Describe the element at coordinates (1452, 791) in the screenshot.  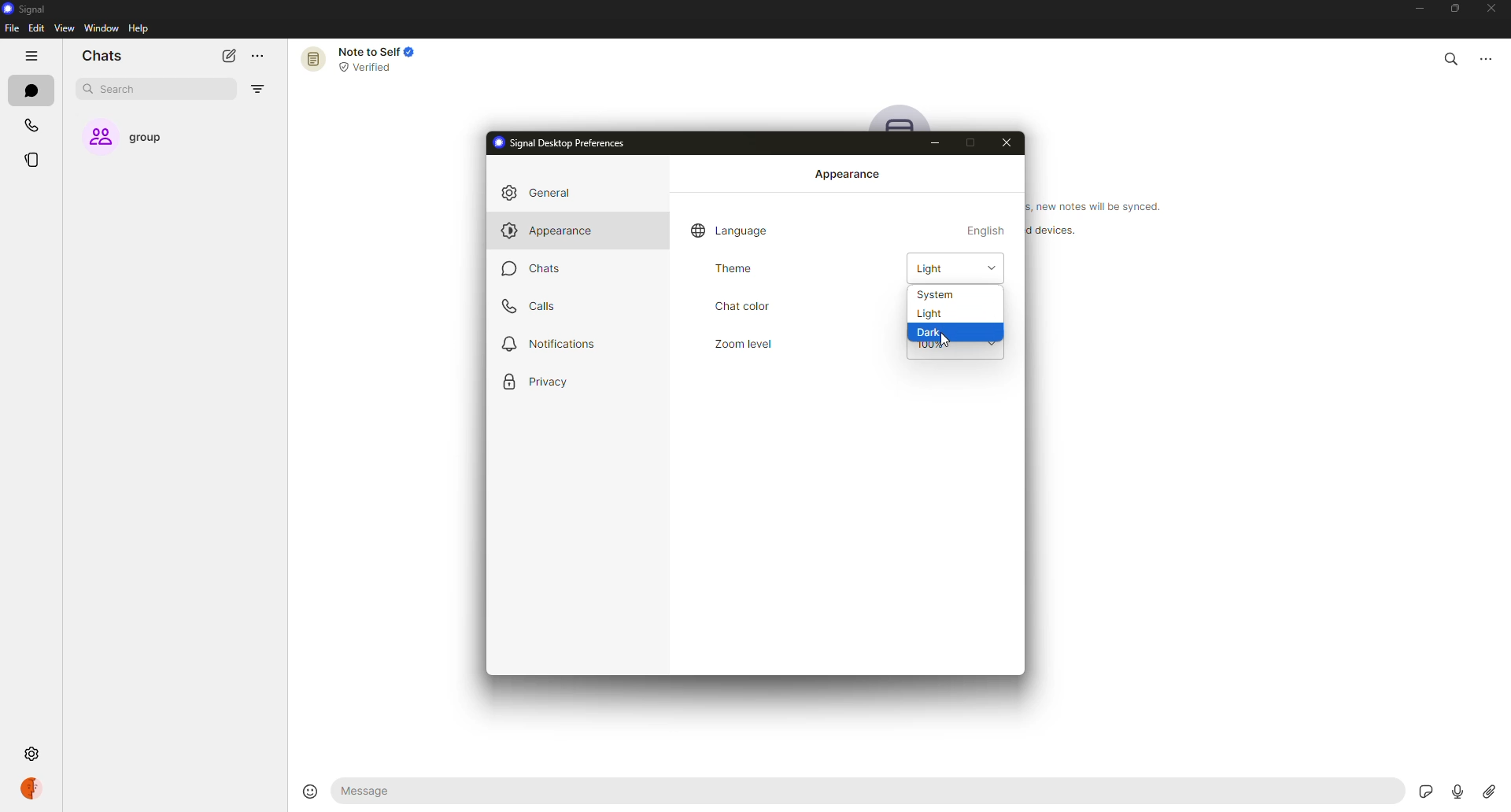
I see `record` at that location.